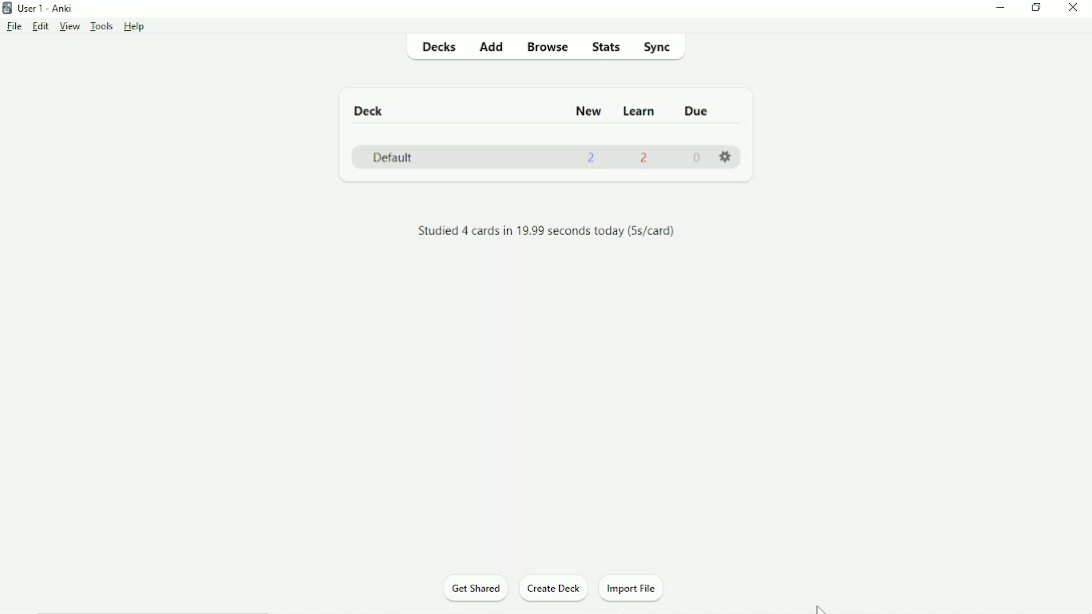 Image resolution: width=1092 pixels, height=614 pixels. Describe the element at coordinates (590, 112) in the screenshot. I see `New` at that location.